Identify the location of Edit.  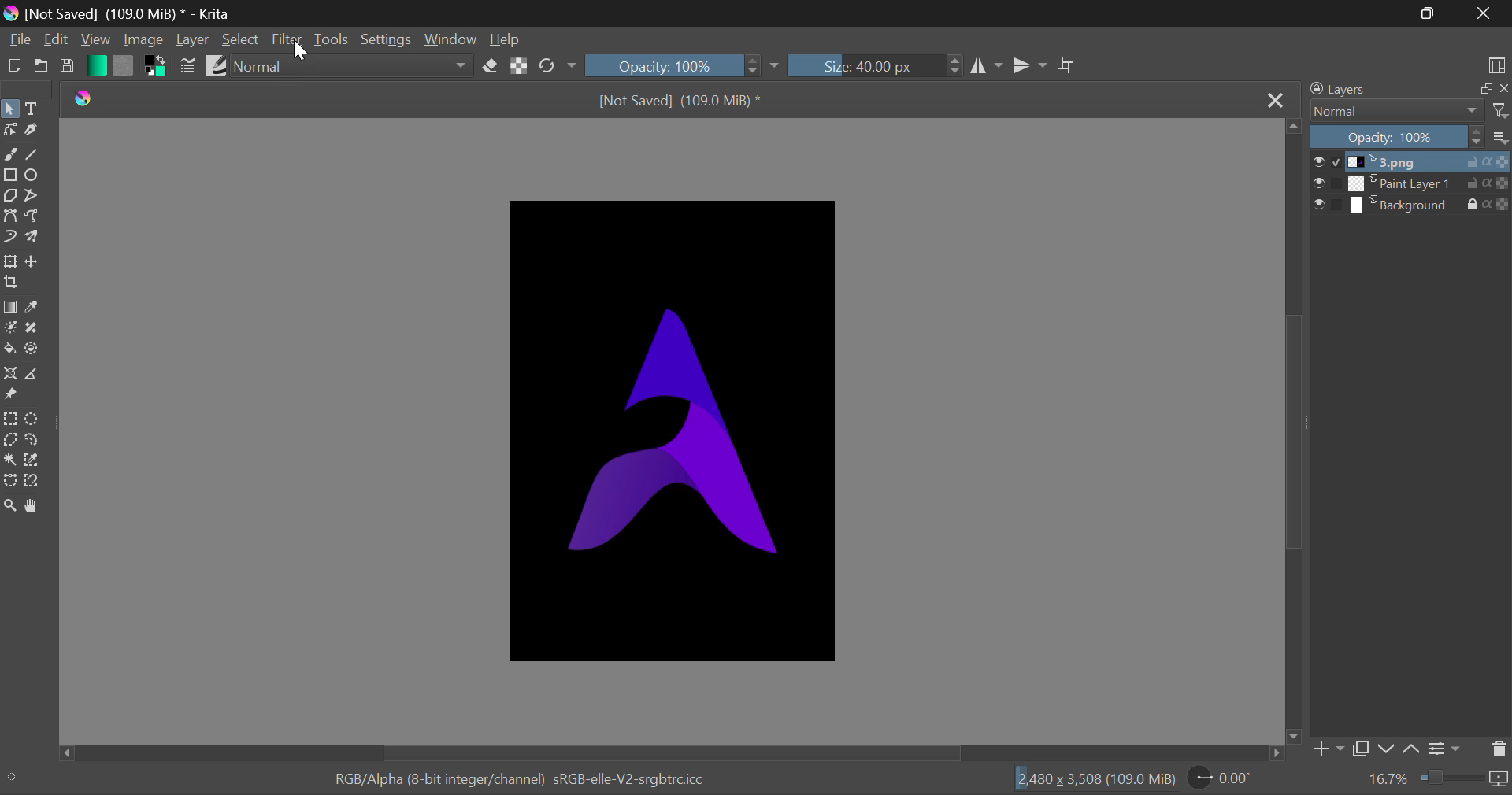
(57, 39).